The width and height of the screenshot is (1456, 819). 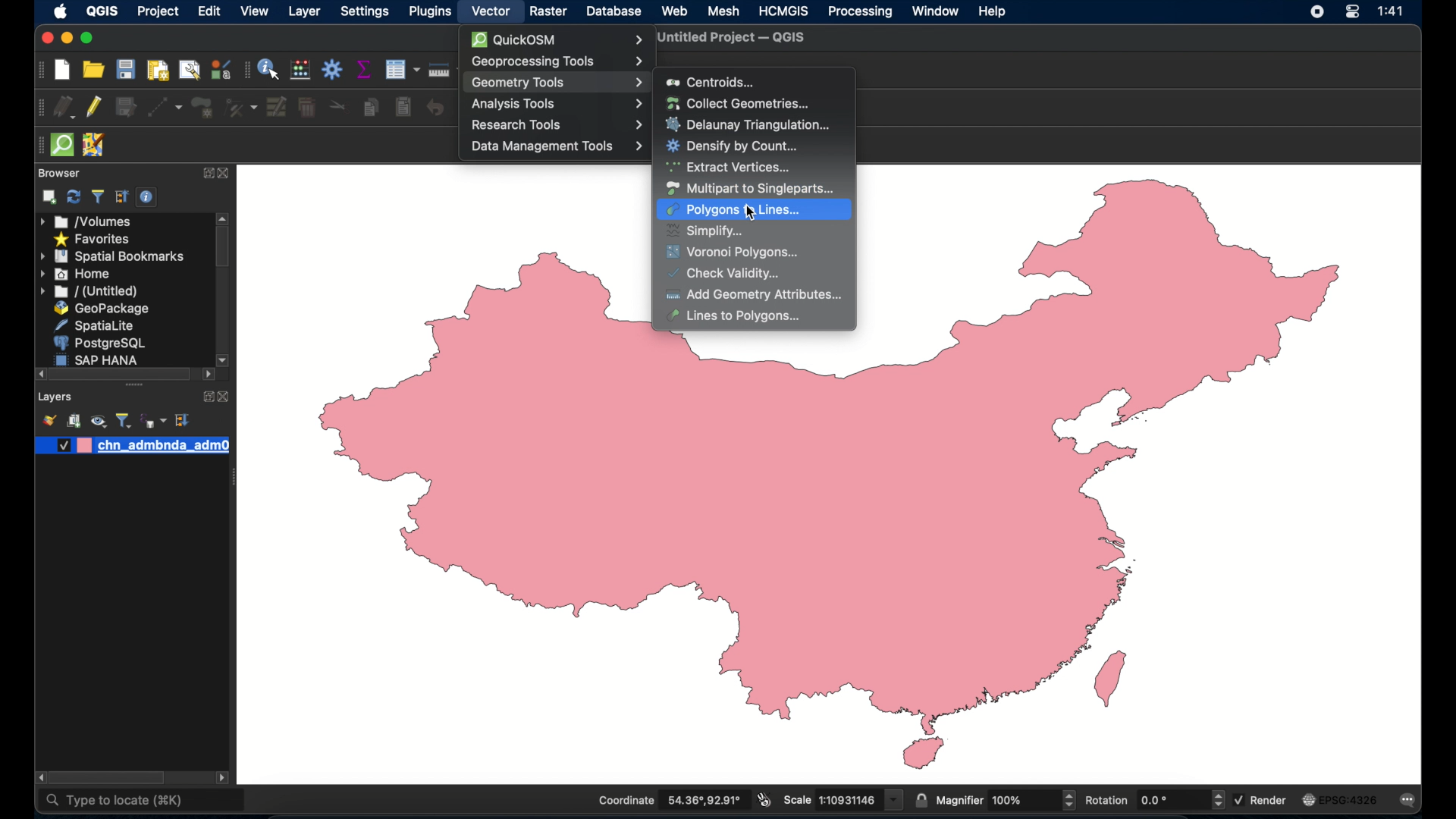 I want to click on jsomremote, so click(x=95, y=145).